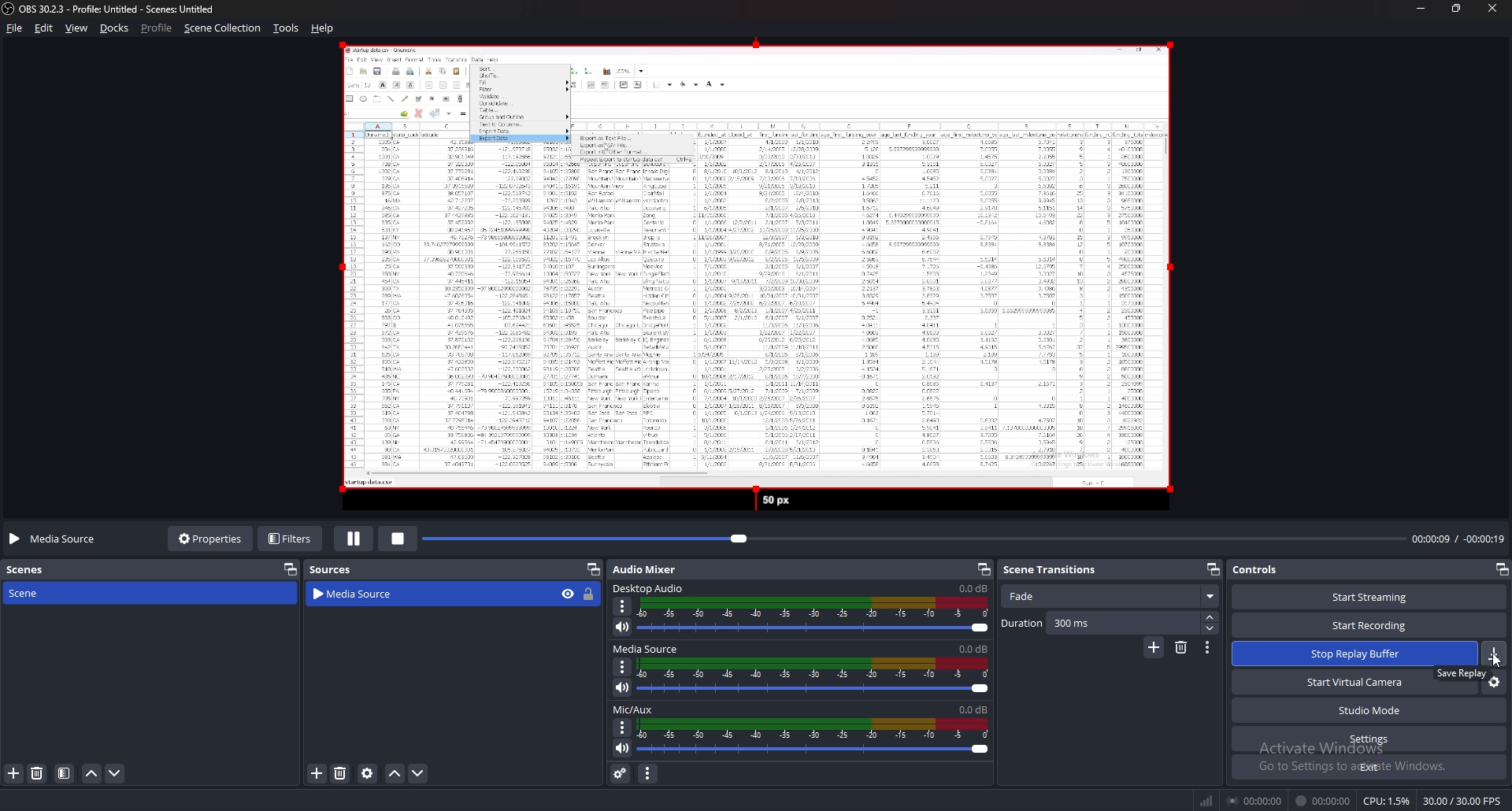  Describe the element at coordinates (1060, 570) in the screenshot. I see `scene transitions` at that location.